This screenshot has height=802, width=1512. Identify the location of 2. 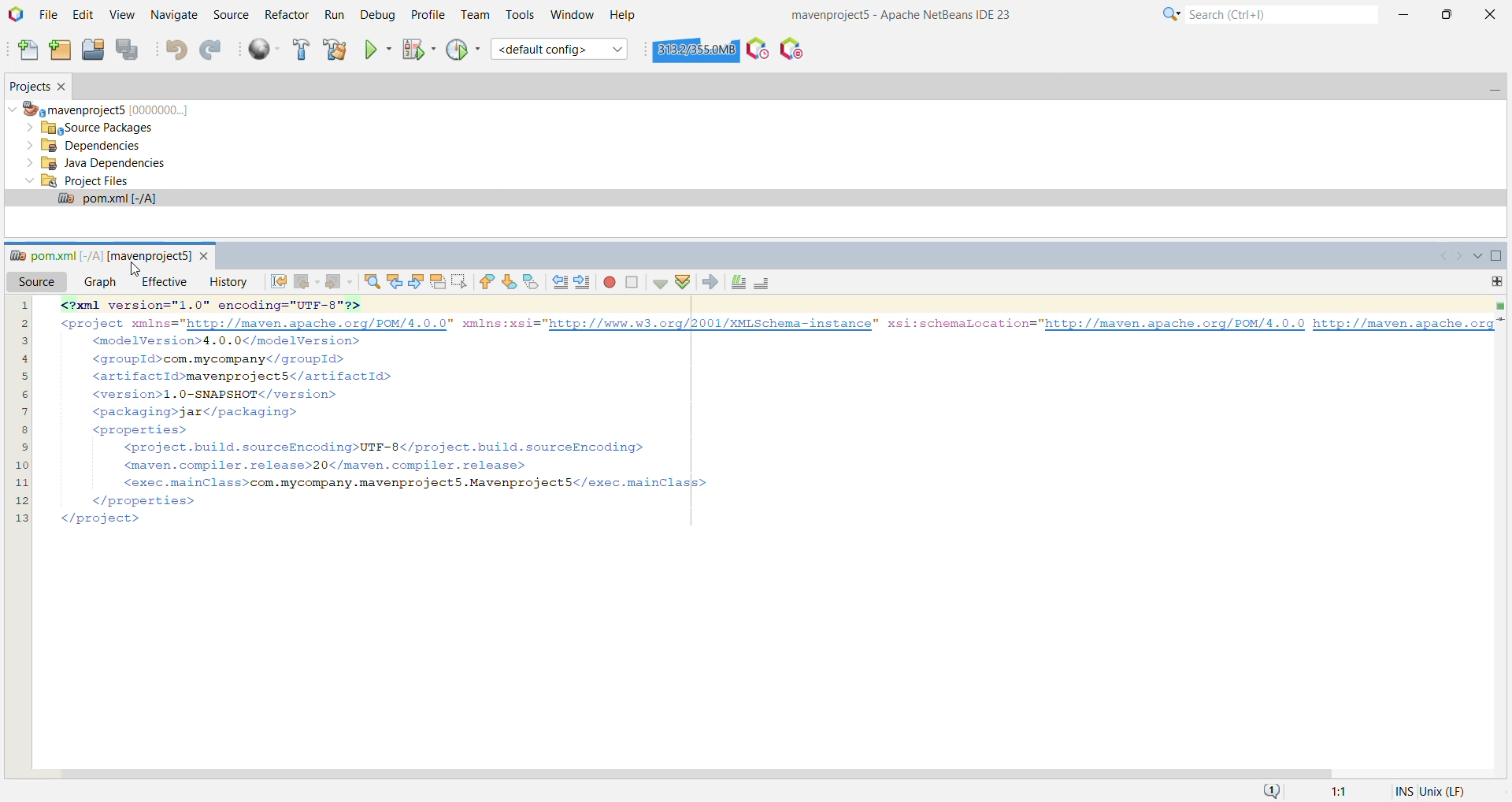
(20, 323).